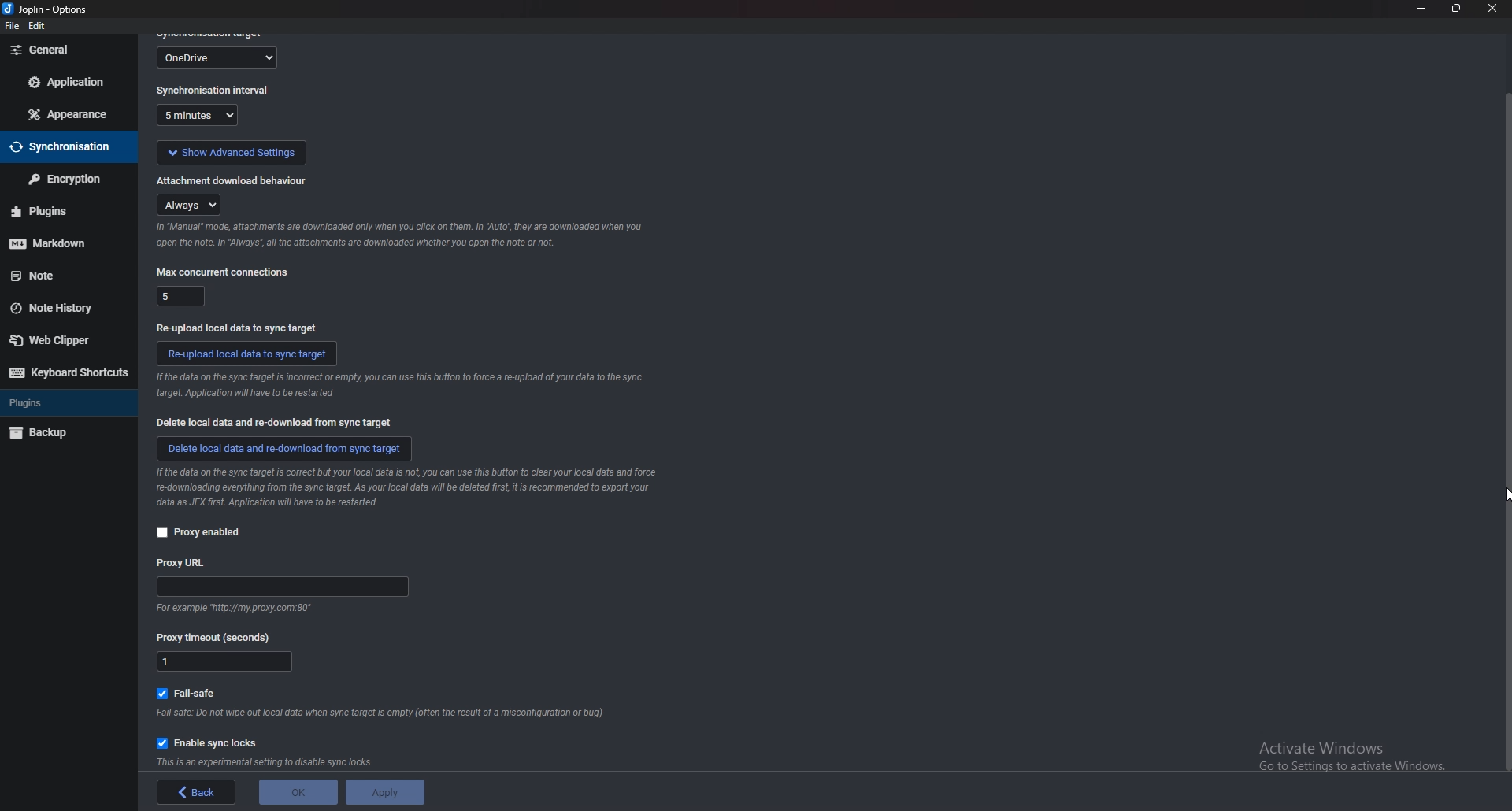 The height and width of the screenshot is (811, 1512). I want to click on proxy url, so click(283, 588).